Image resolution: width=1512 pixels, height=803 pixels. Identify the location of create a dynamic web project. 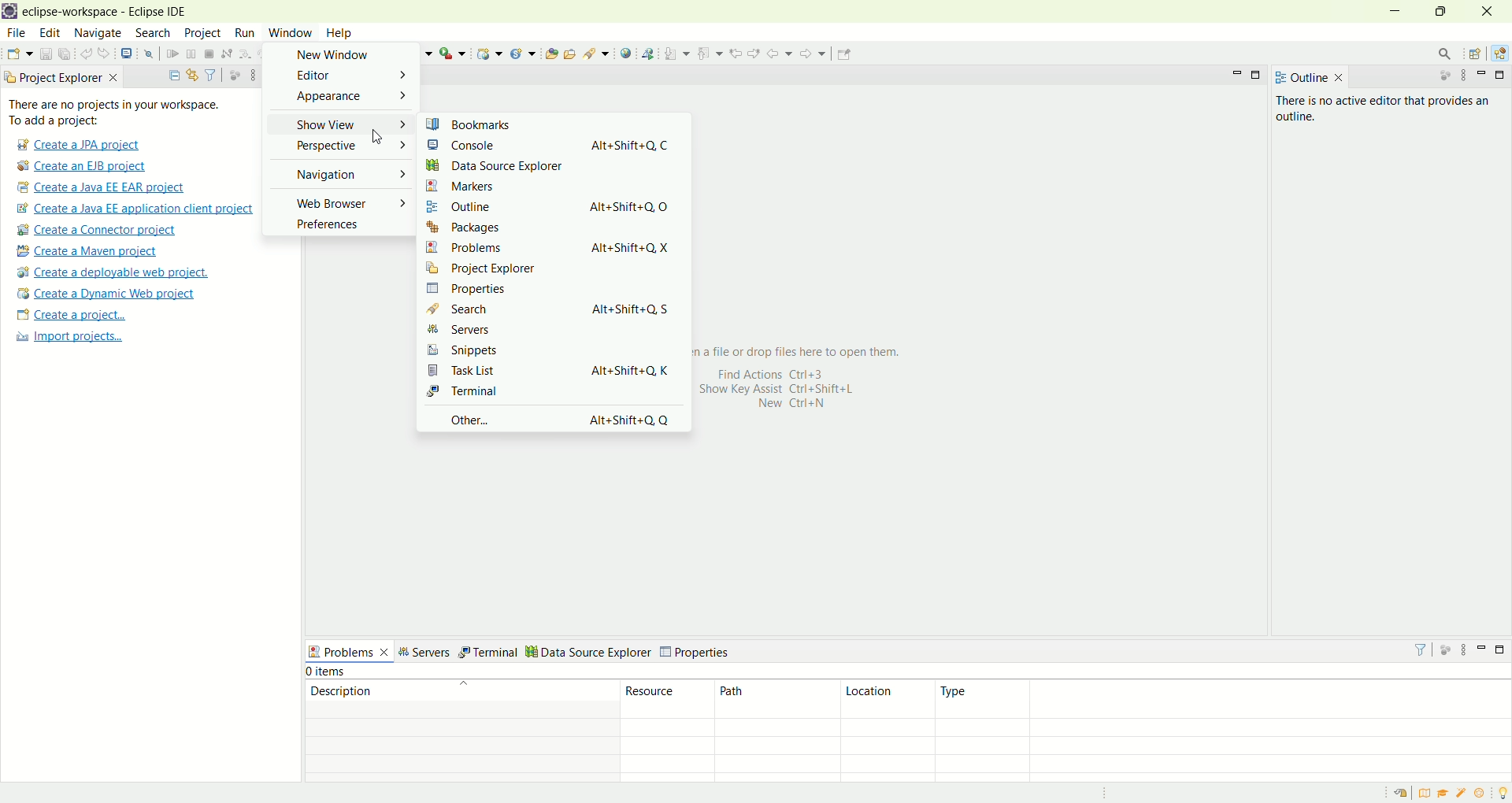
(489, 53).